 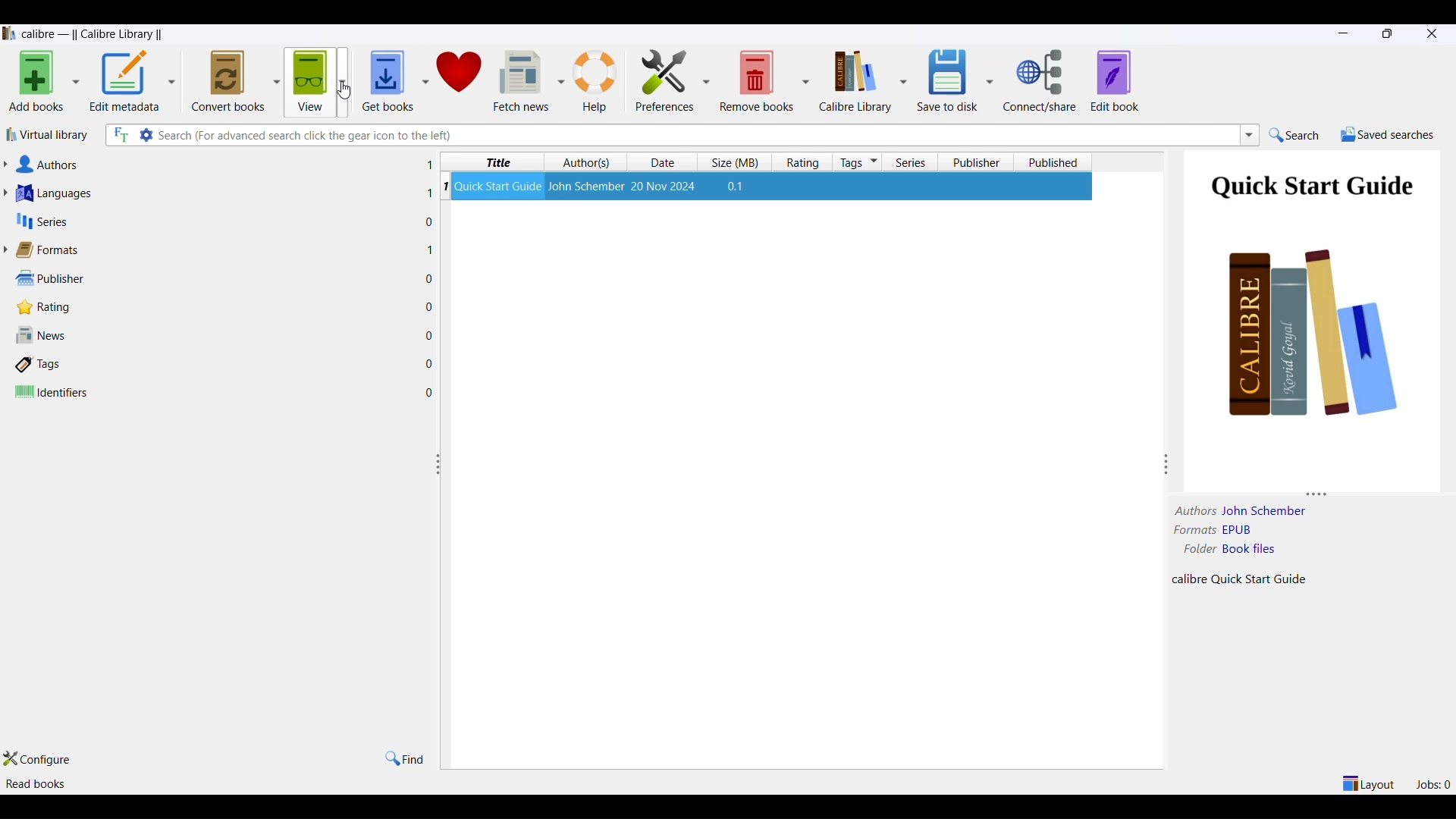 What do you see at coordinates (1434, 783) in the screenshot?
I see `jobs` at bounding box center [1434, 783].